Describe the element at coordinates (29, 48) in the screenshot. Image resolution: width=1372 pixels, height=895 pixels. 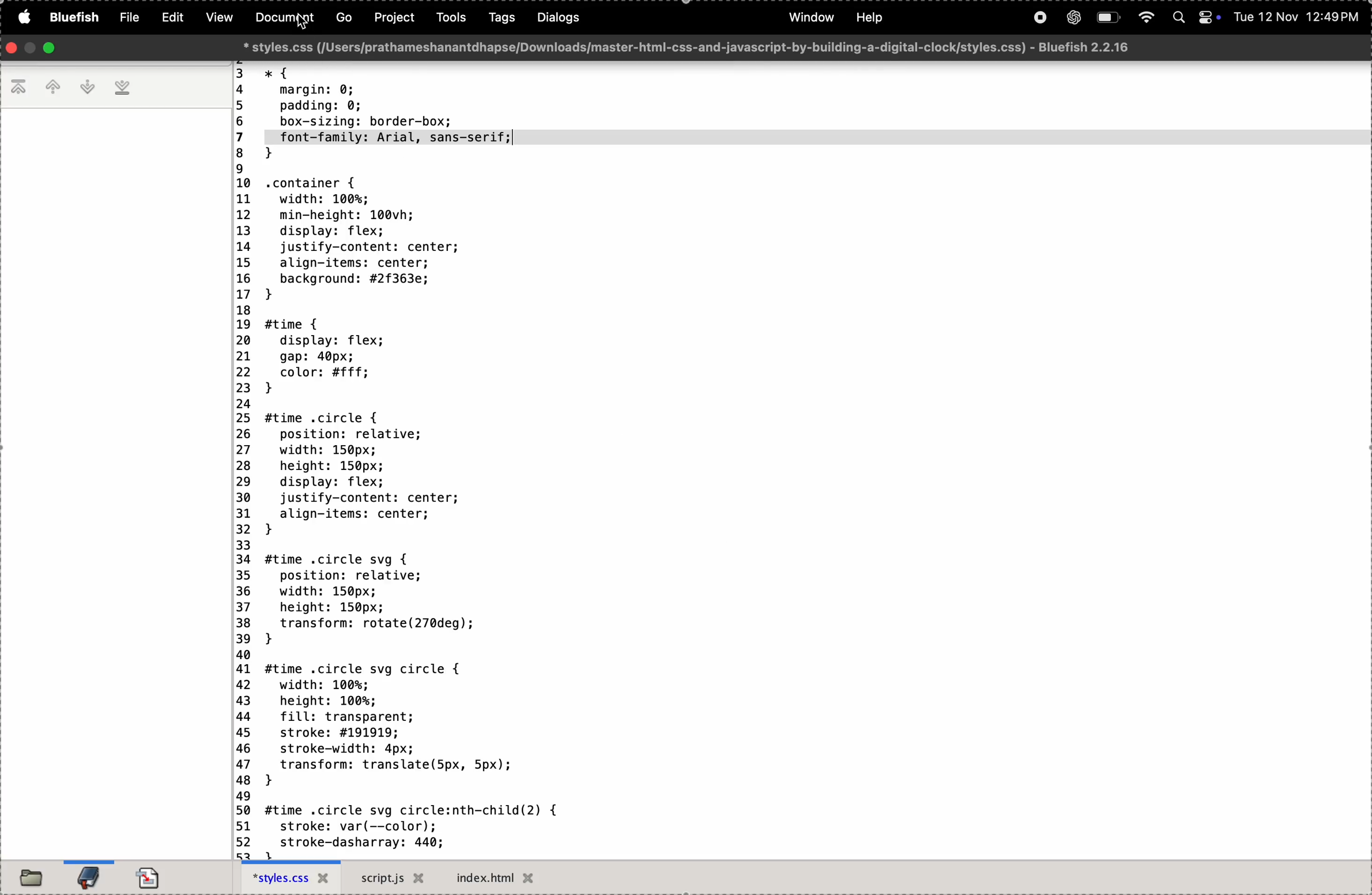
I see `Minimize` at that location.